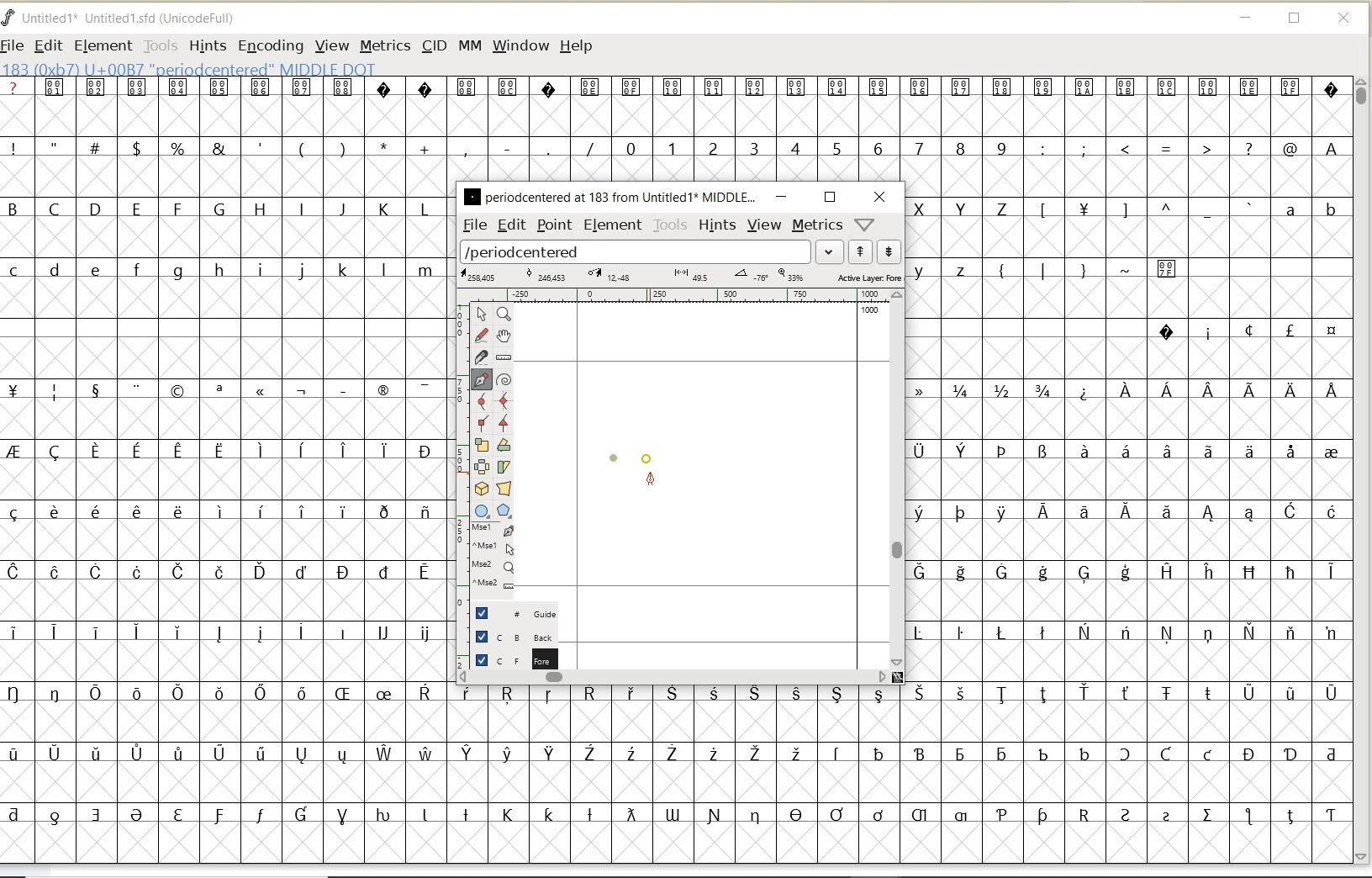 The width and height of the screenshot is (1372, 878). I want to click on ruler, so click(683, 297).